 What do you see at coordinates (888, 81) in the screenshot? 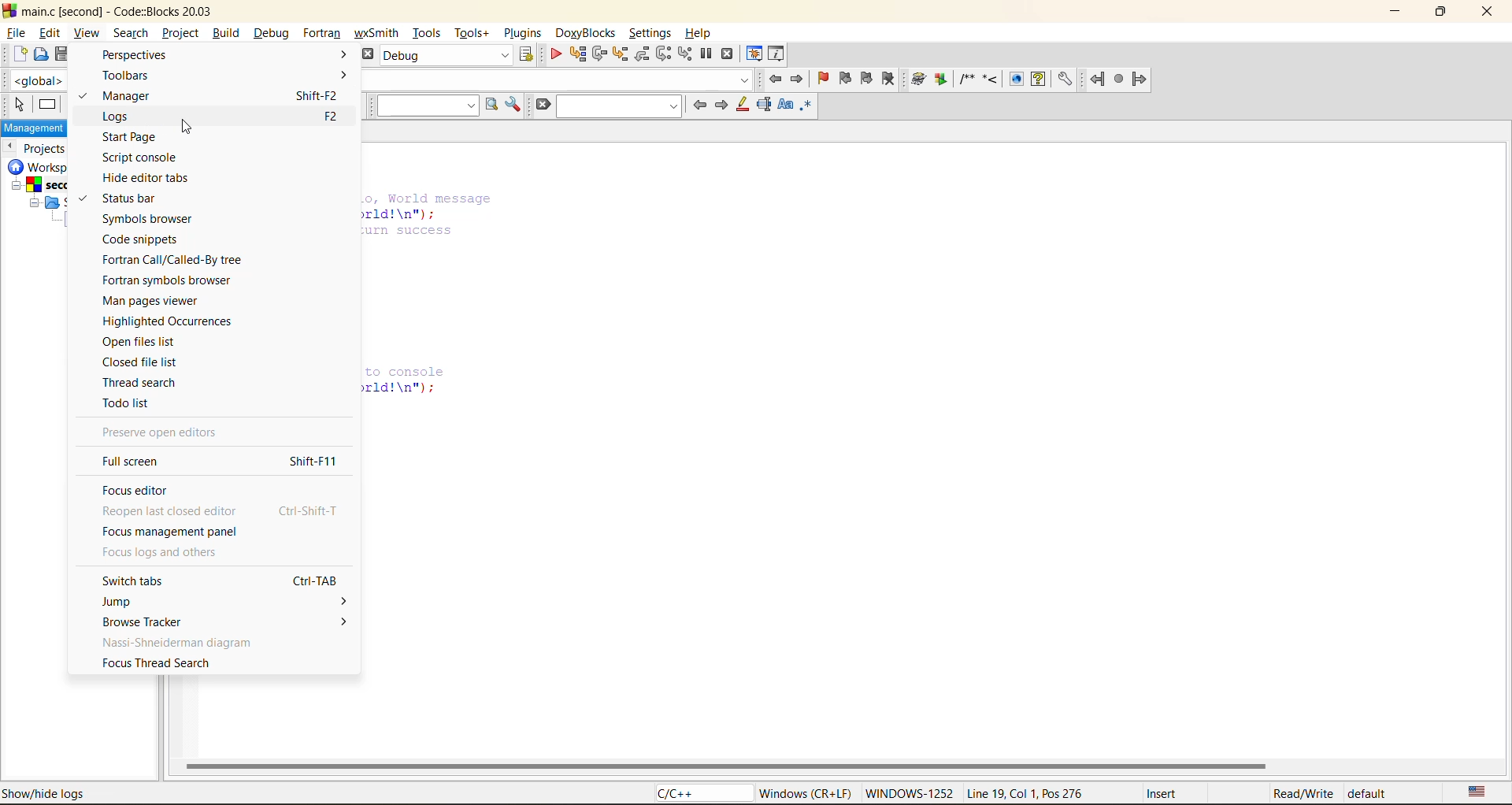
I see `clear bookmark` at bounding box center [888, 81].